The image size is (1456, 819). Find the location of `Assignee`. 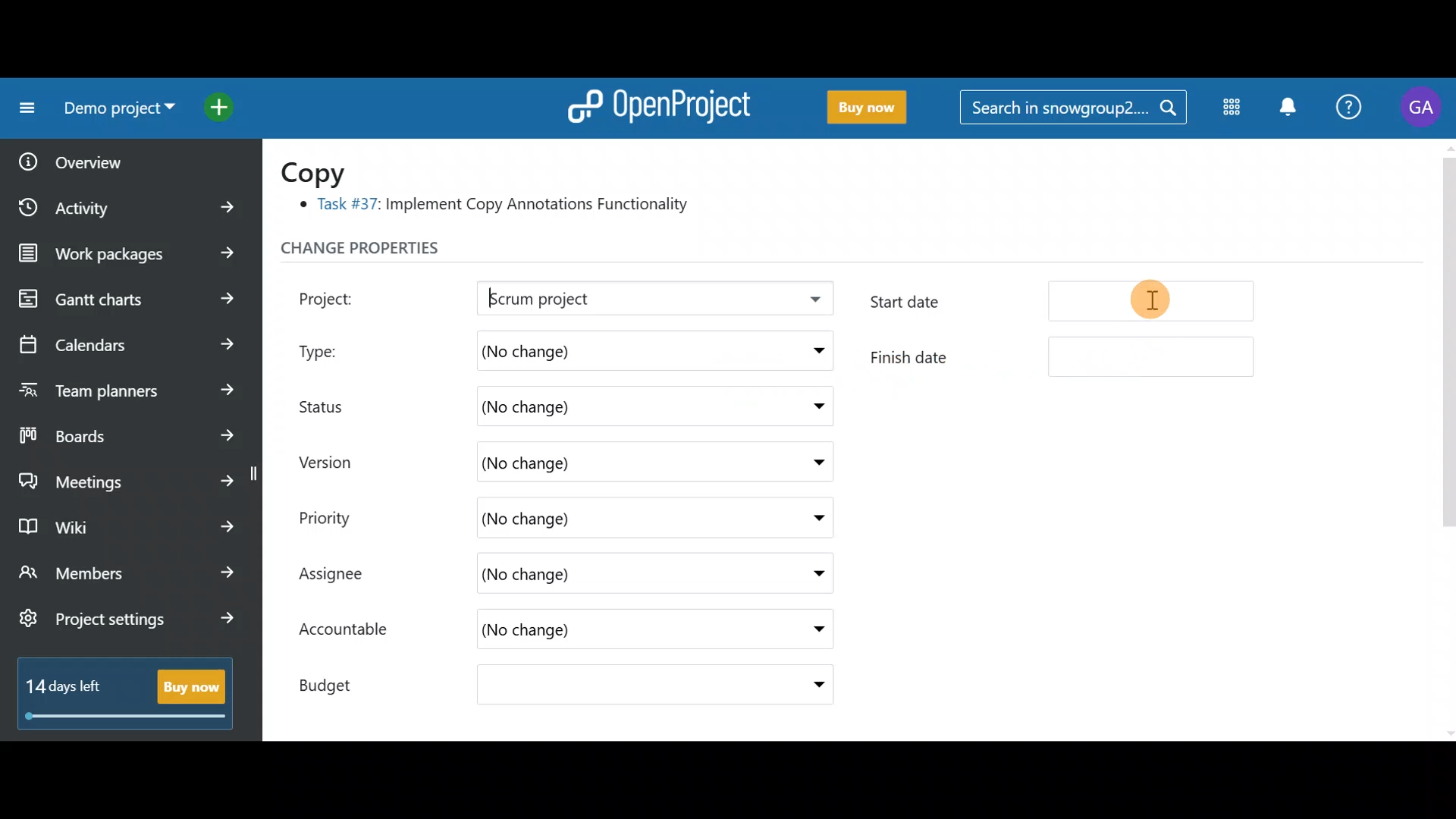

Assignee is located at coordinates (346, 576).